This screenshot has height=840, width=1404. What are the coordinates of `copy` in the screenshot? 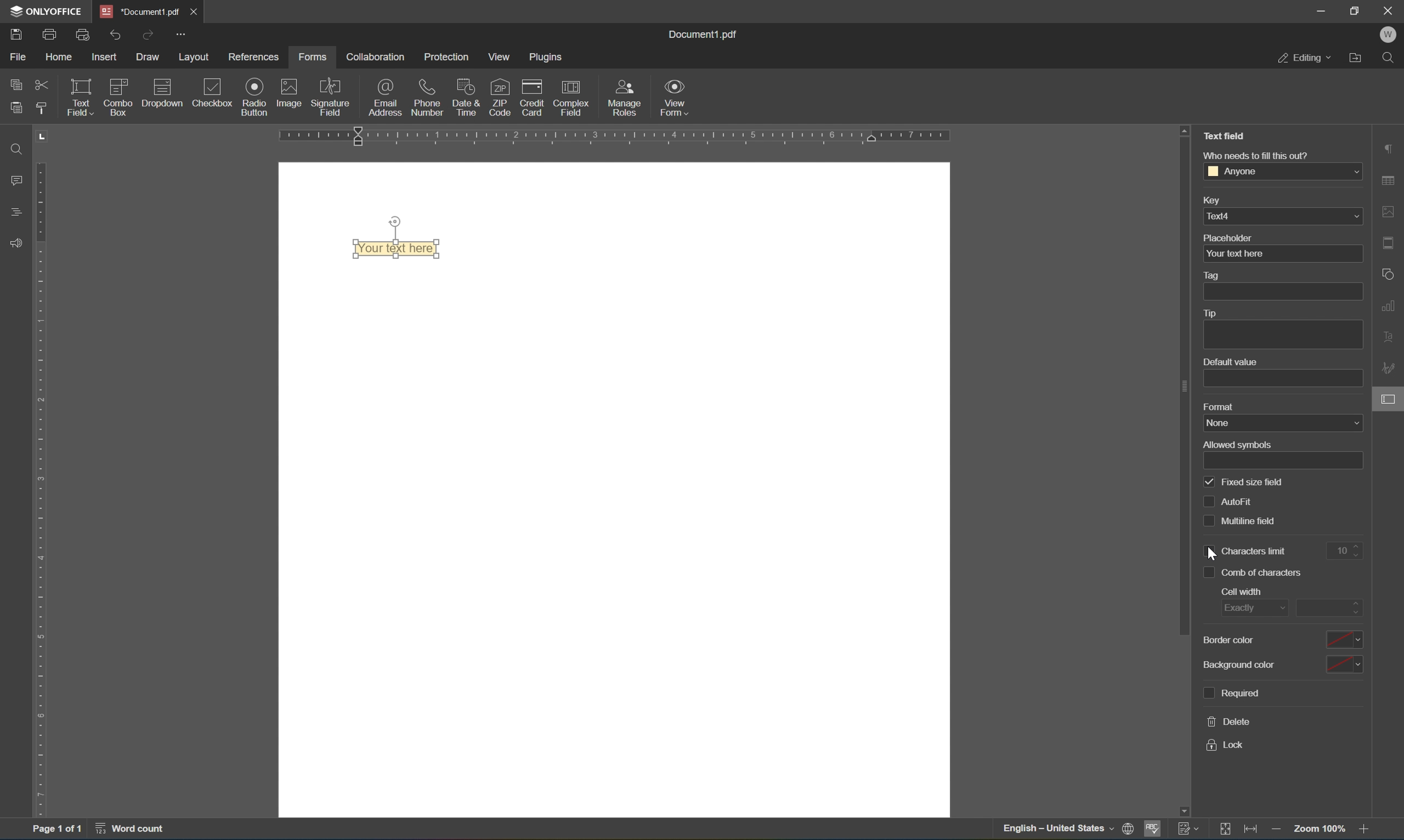 It's located at (16, 86).